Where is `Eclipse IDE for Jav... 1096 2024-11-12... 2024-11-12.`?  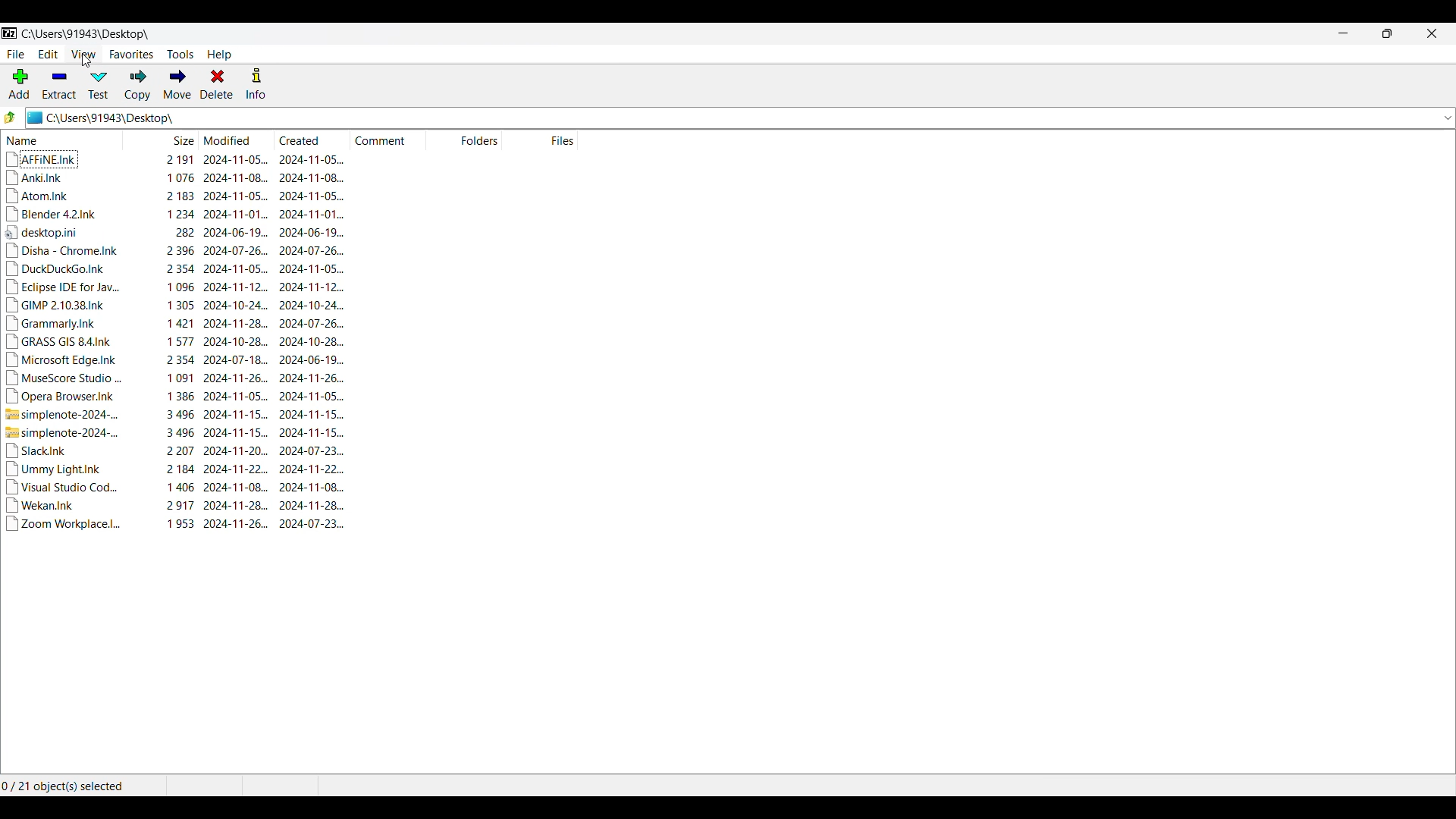 Eclipse IDE for Jav... 1096 2024-11-12... 2024-11-12. is located at coordinates (177, 288).